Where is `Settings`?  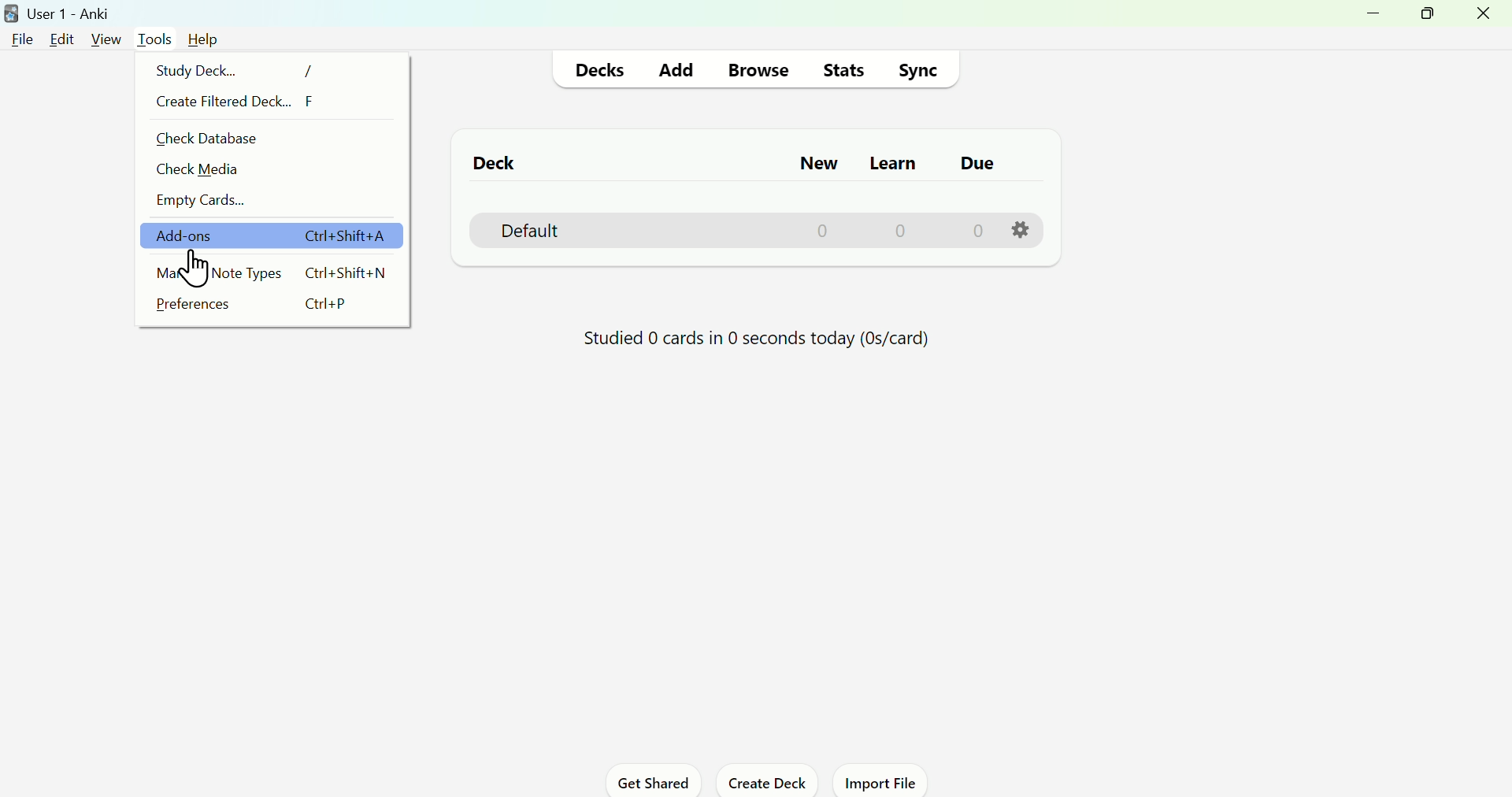
Settings is located at coordinates (1024, 231).